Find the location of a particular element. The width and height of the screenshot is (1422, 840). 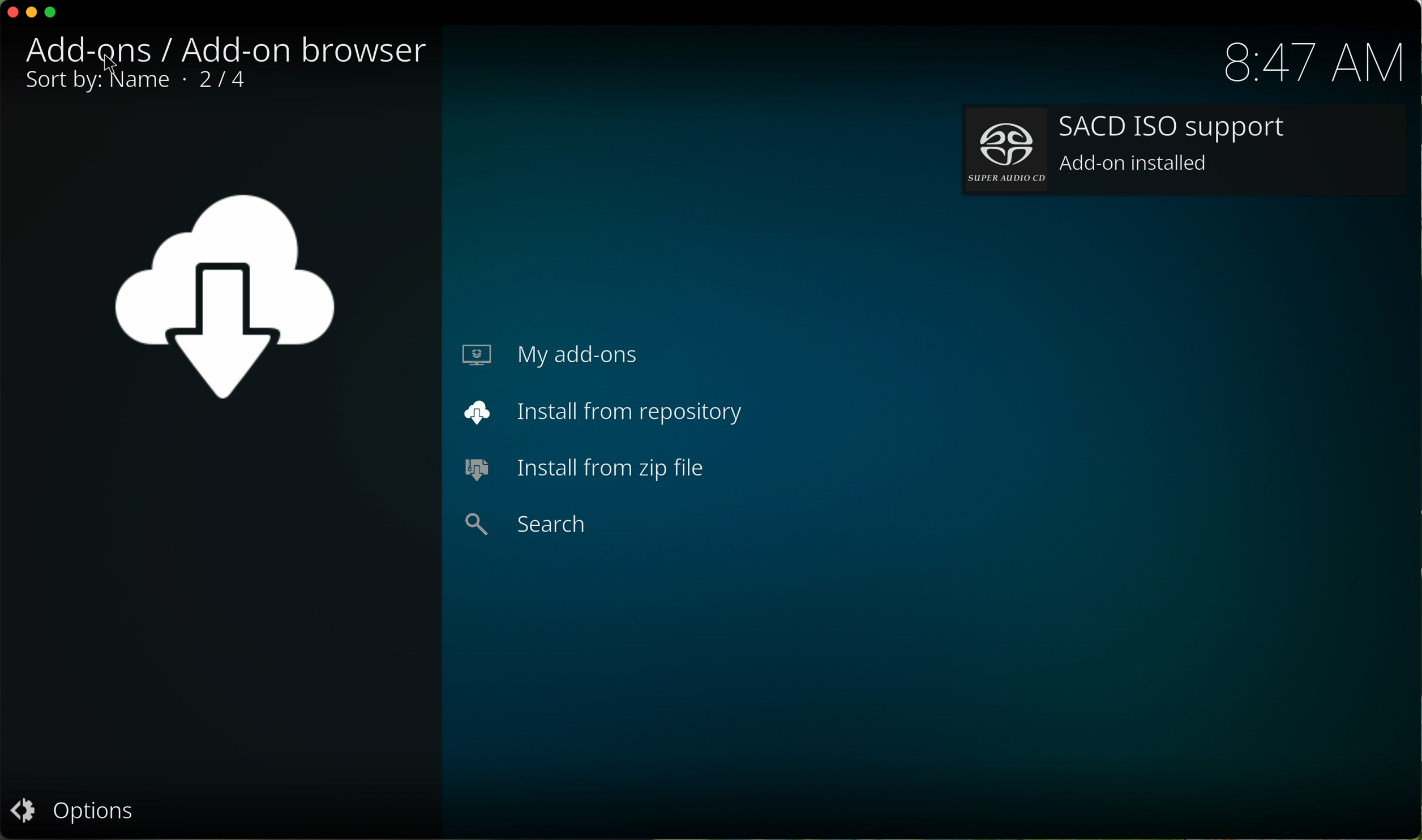

minimize program is located at coordinates (33, 13).